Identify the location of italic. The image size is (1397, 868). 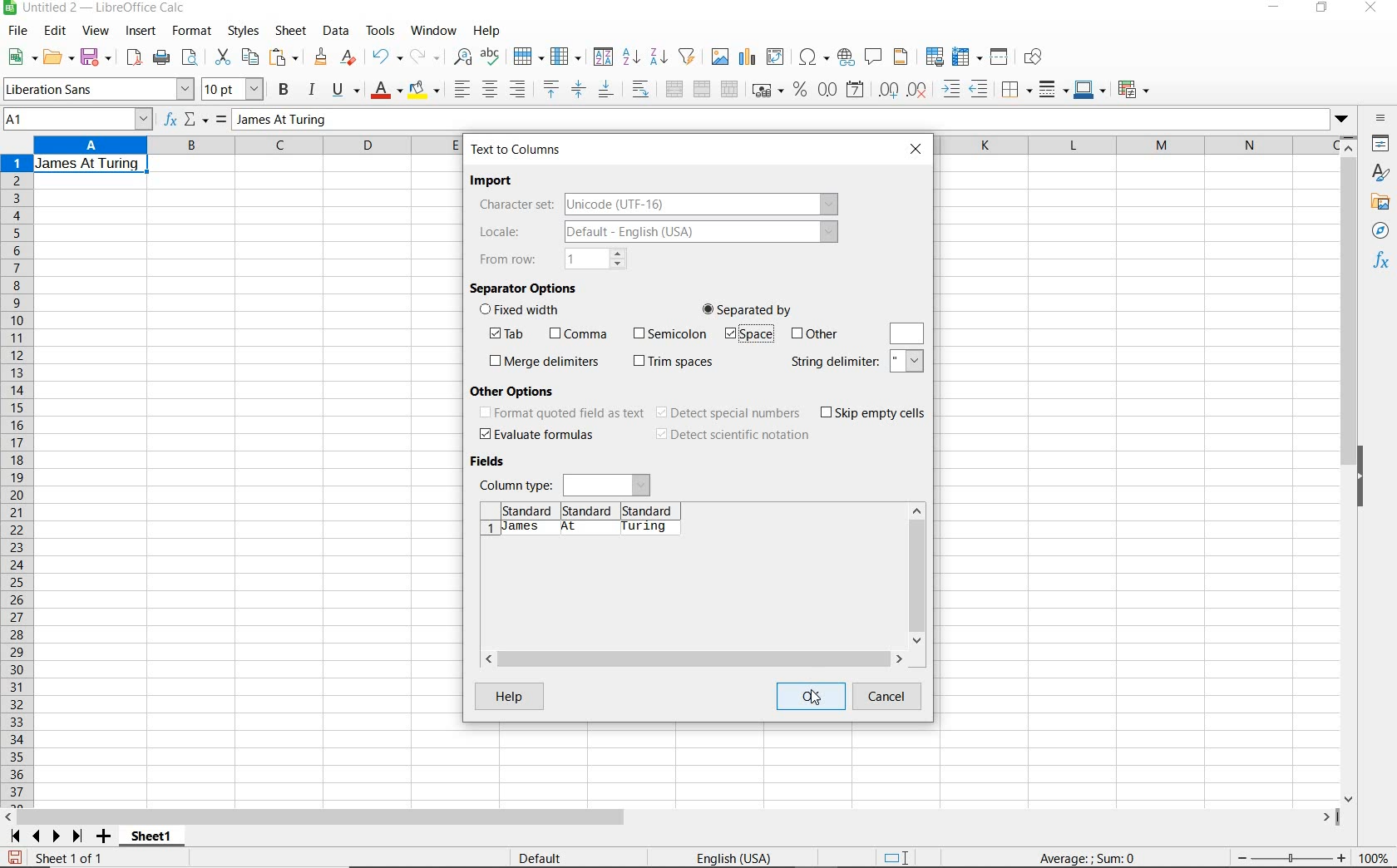
(312, 89).